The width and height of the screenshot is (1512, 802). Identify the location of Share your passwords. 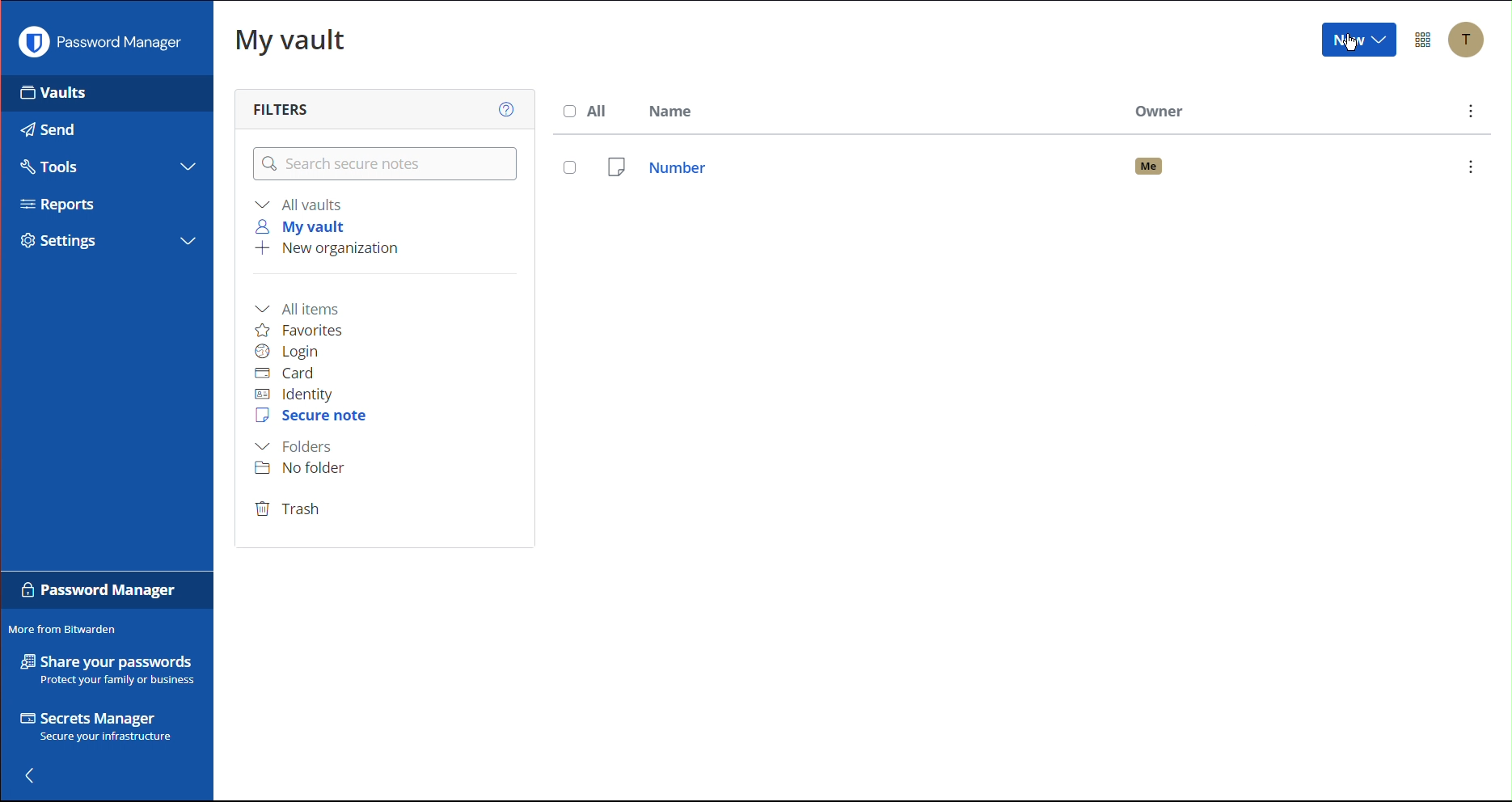
(108, 669).